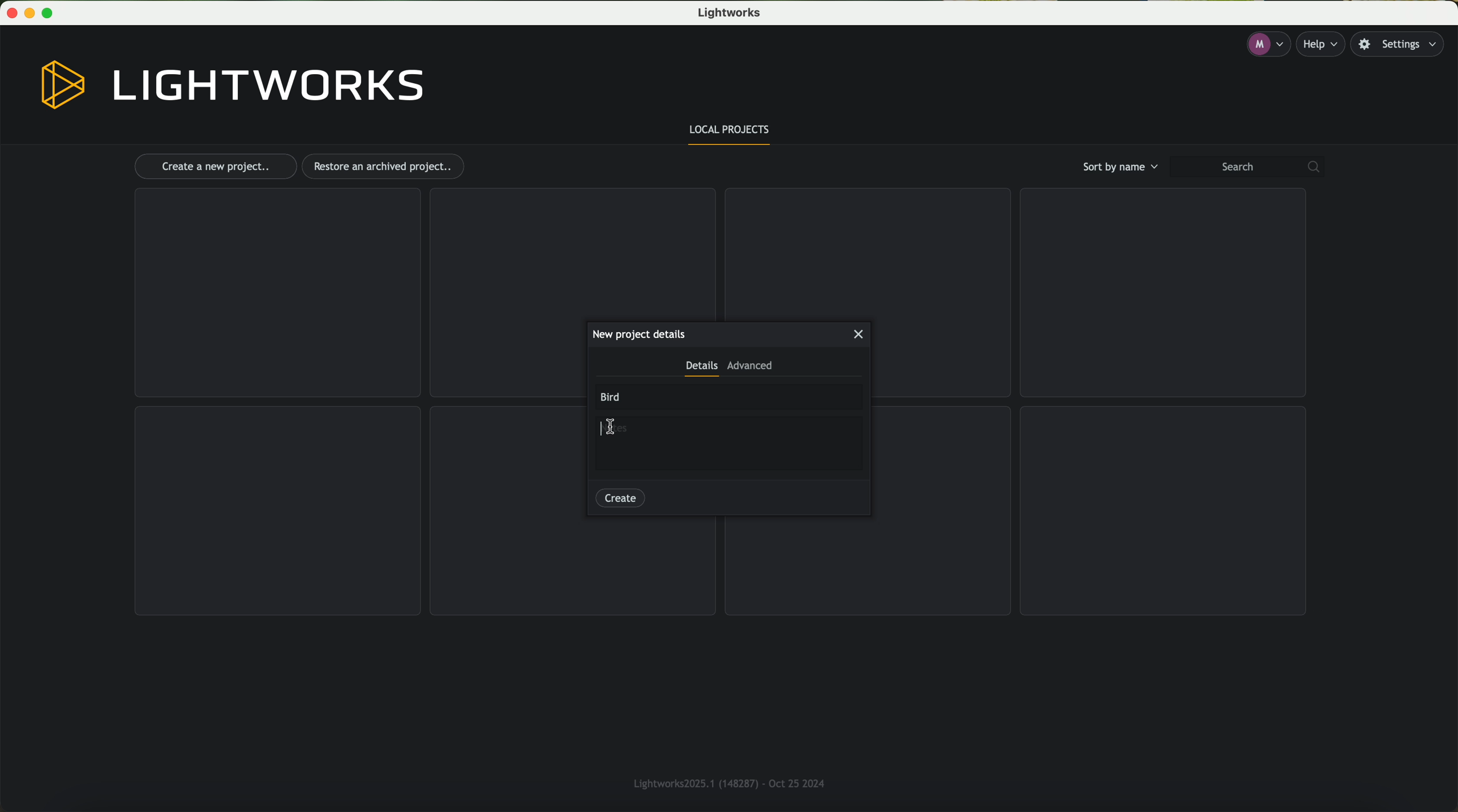  What do you see at coordinates (32, 13) in the screenshot?
I see `minimize` at bounding box center [32, 13].